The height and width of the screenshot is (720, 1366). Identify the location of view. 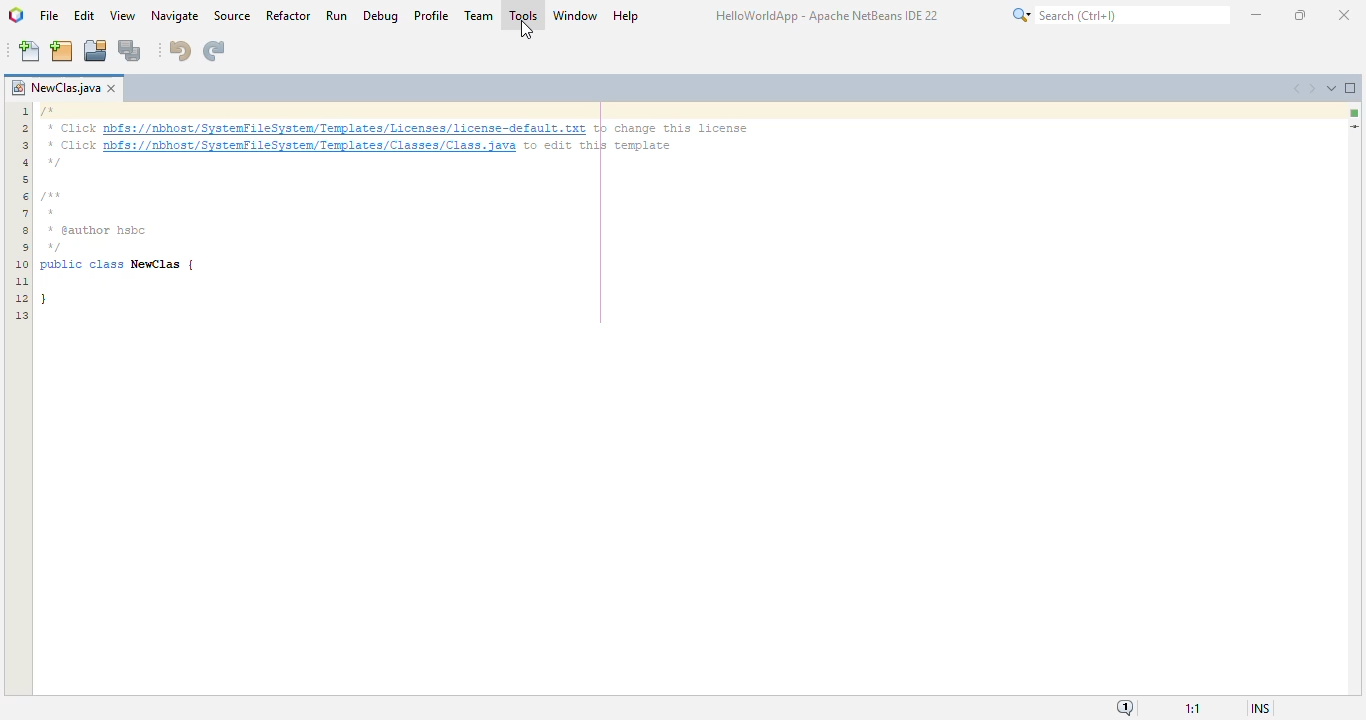
(123, 15).